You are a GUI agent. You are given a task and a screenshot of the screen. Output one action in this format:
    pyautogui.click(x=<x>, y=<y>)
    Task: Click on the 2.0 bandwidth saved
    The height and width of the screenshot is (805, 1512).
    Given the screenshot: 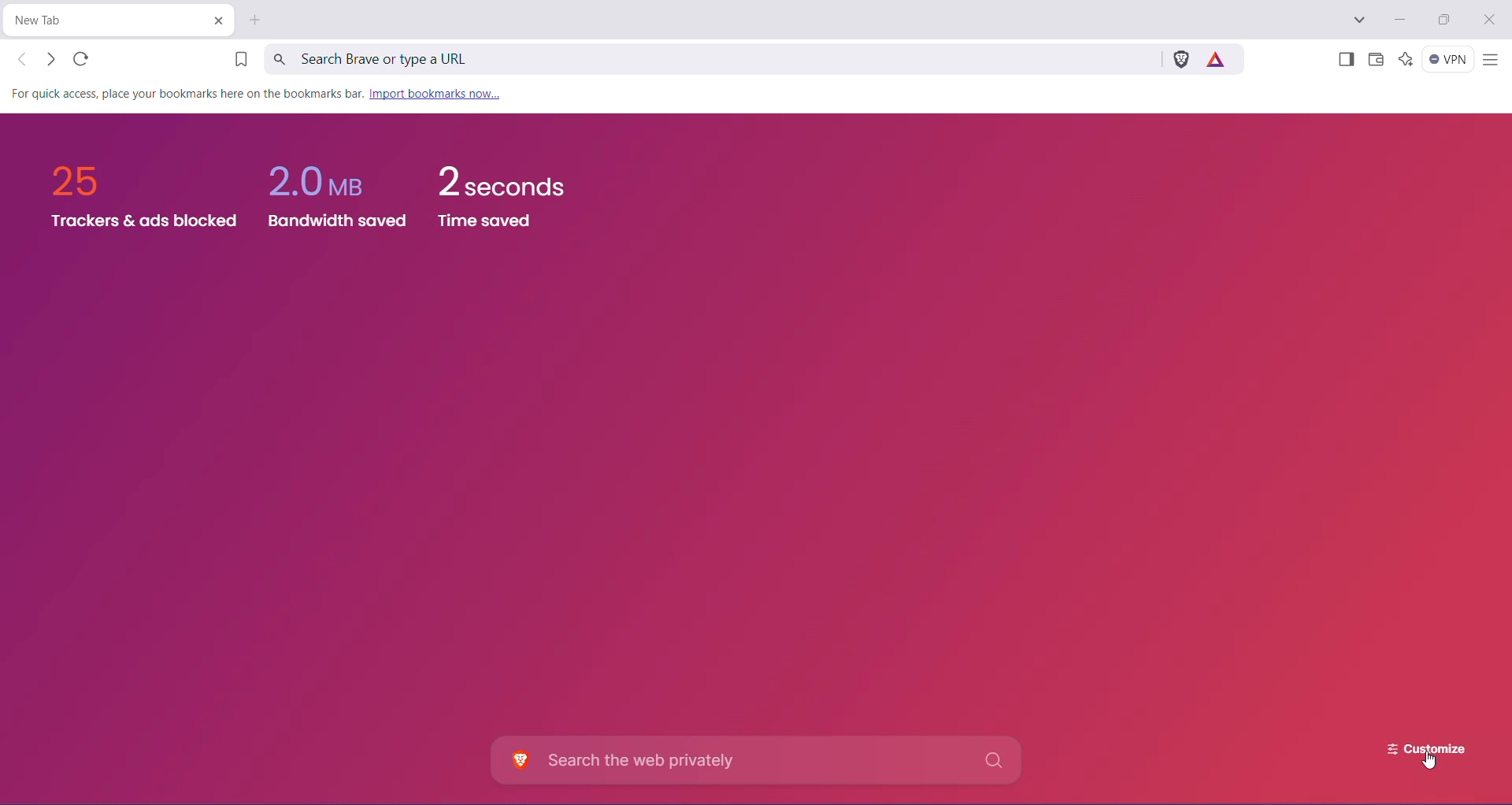 What is the action you would take?
    pyautogui.click(x=340, y=188)
    